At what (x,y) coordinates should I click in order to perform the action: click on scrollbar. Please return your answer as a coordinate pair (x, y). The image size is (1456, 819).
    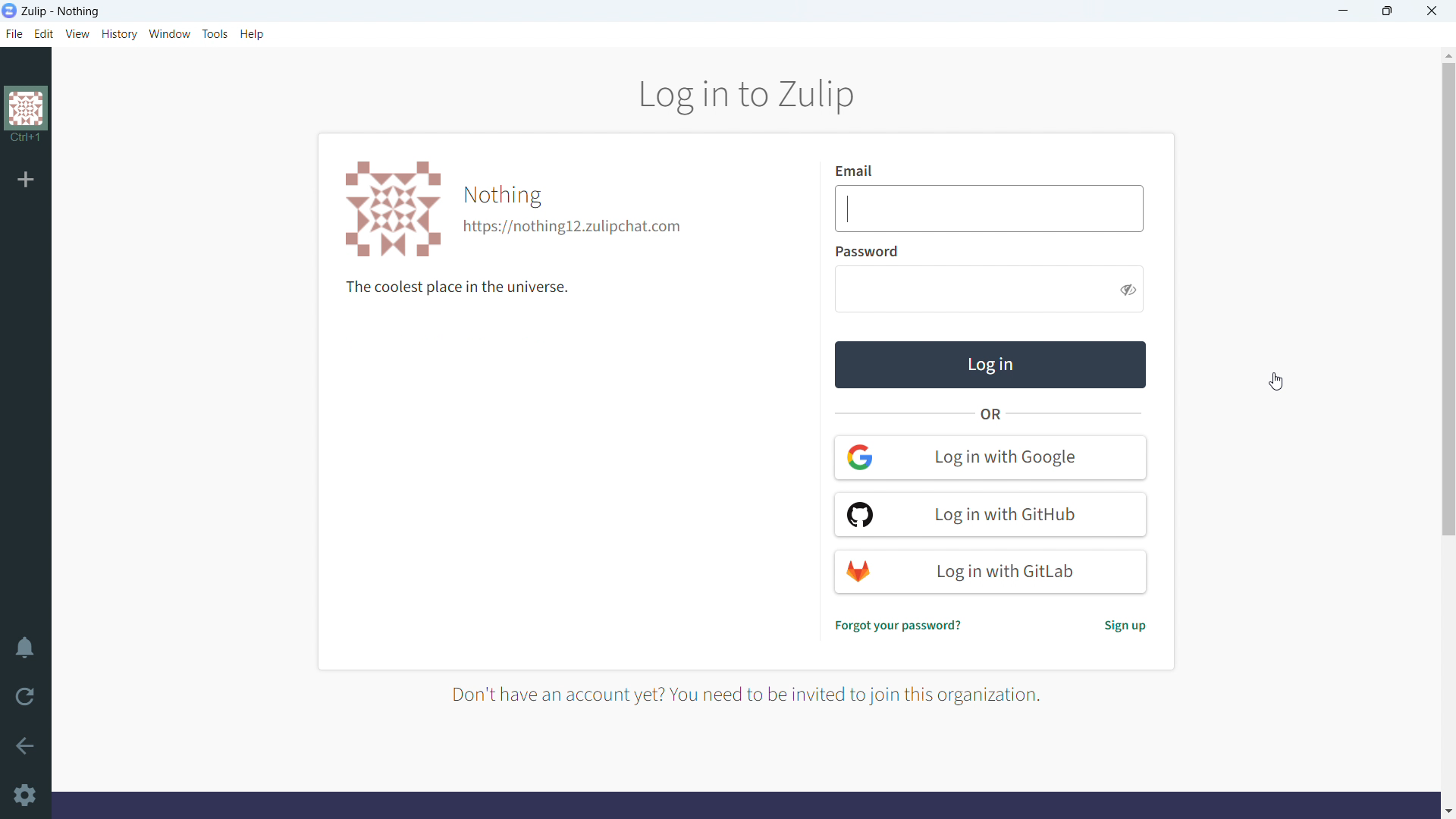
    Looking at the image, I should click on (1448, 298).